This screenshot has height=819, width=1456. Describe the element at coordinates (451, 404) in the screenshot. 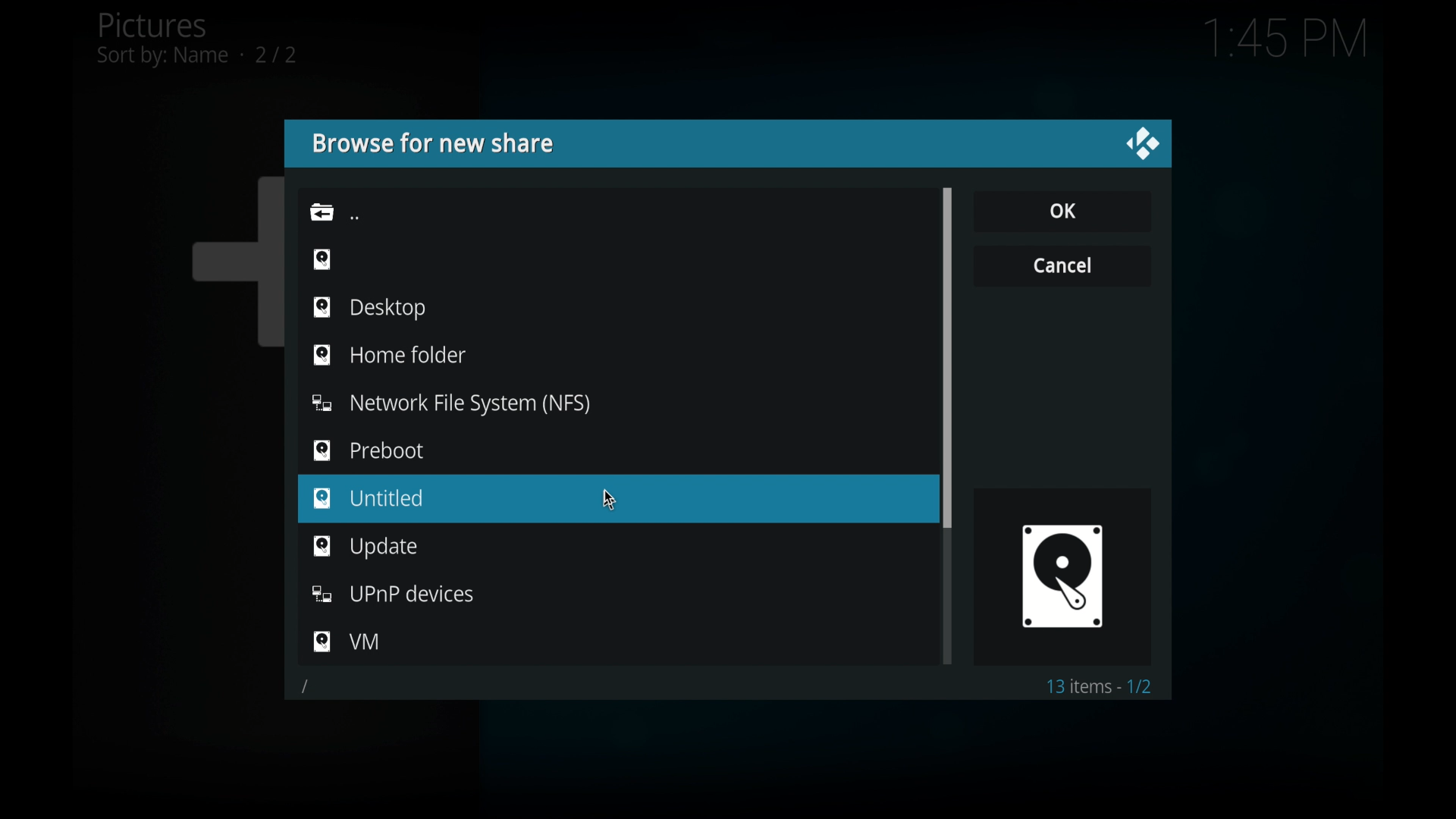

I see `folder` at that location.